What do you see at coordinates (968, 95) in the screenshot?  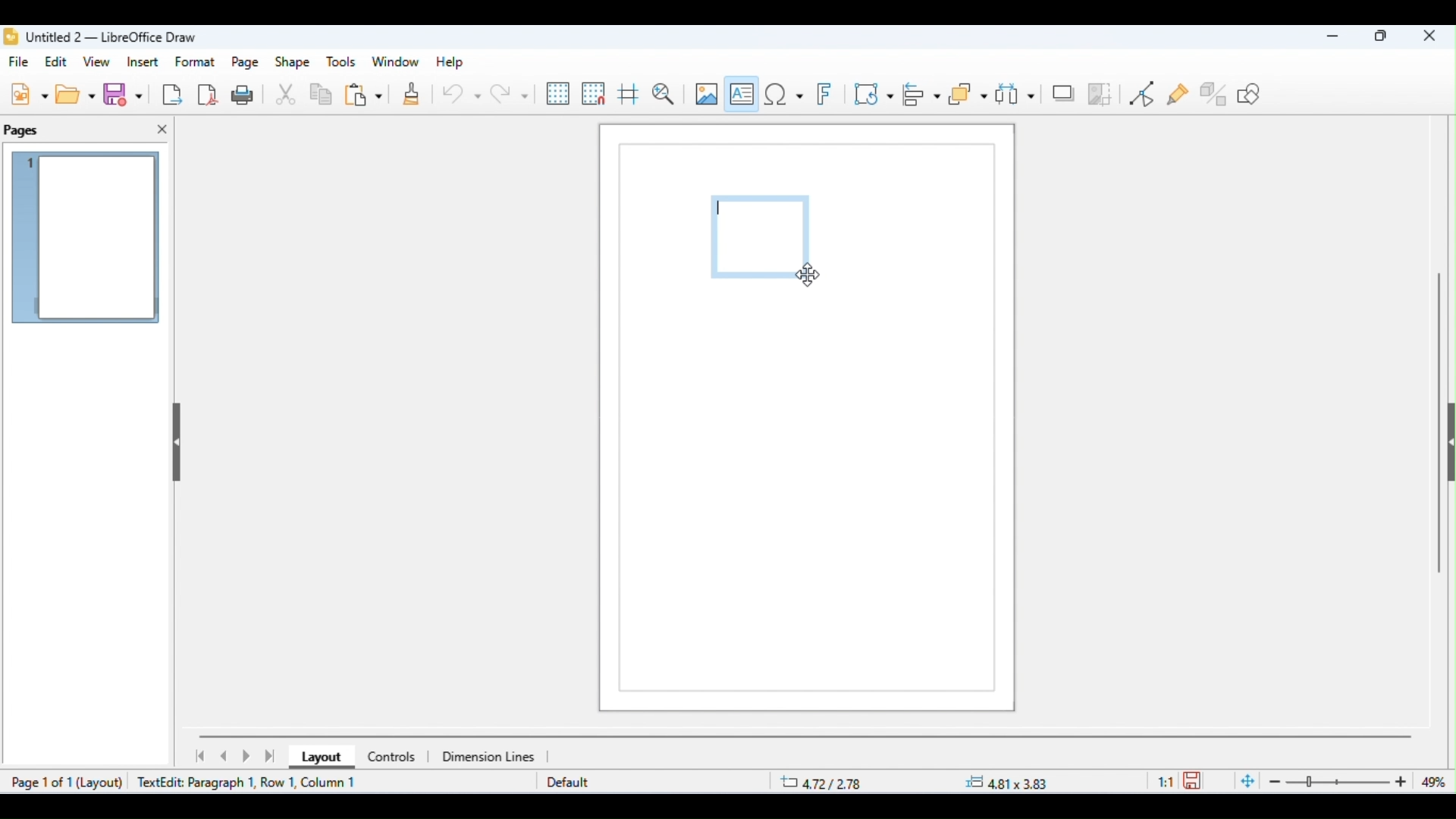 I see `arrange` at bounding box center [968, 95].